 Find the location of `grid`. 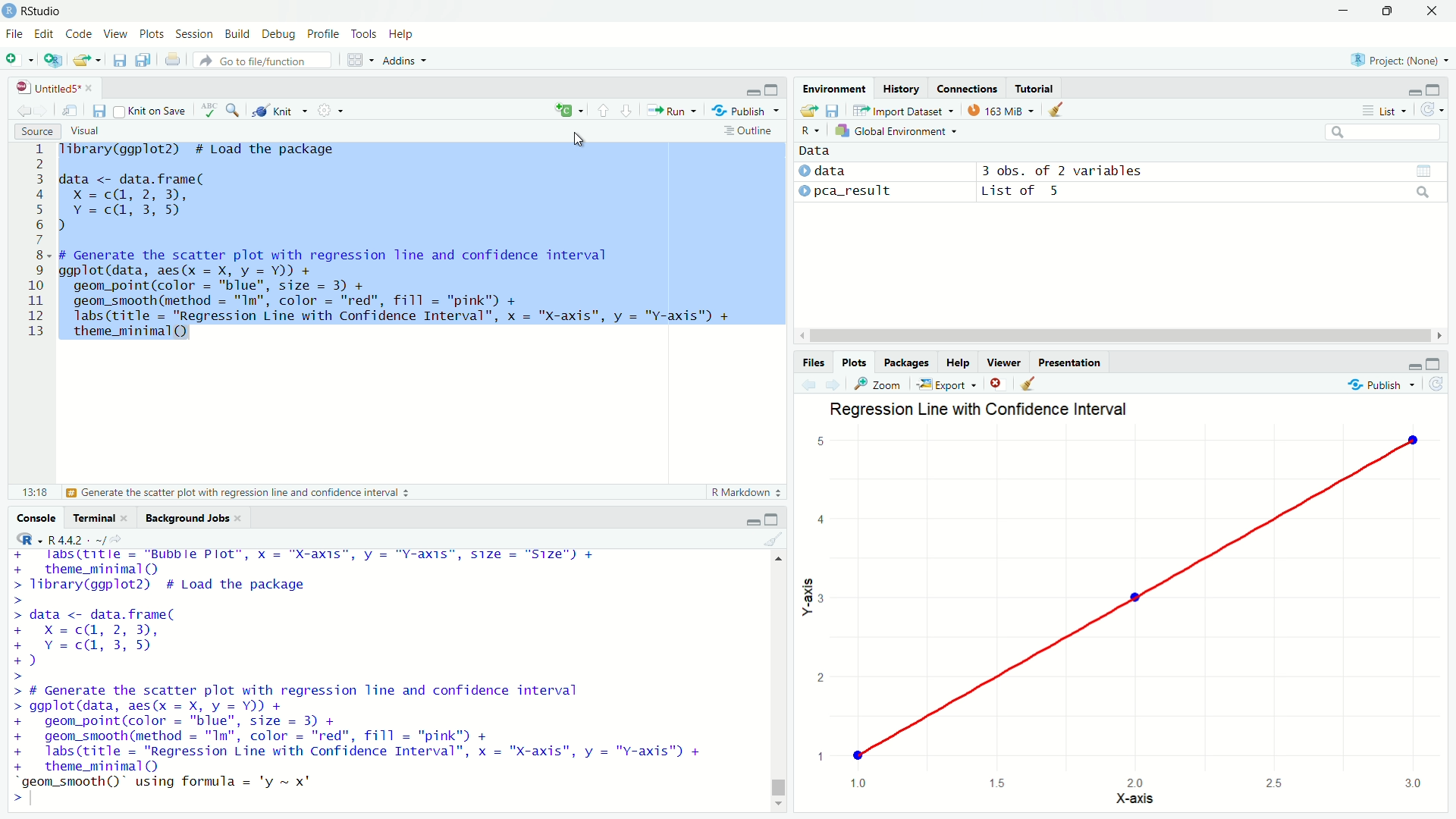

grid is located at coordinates (1423, 171).